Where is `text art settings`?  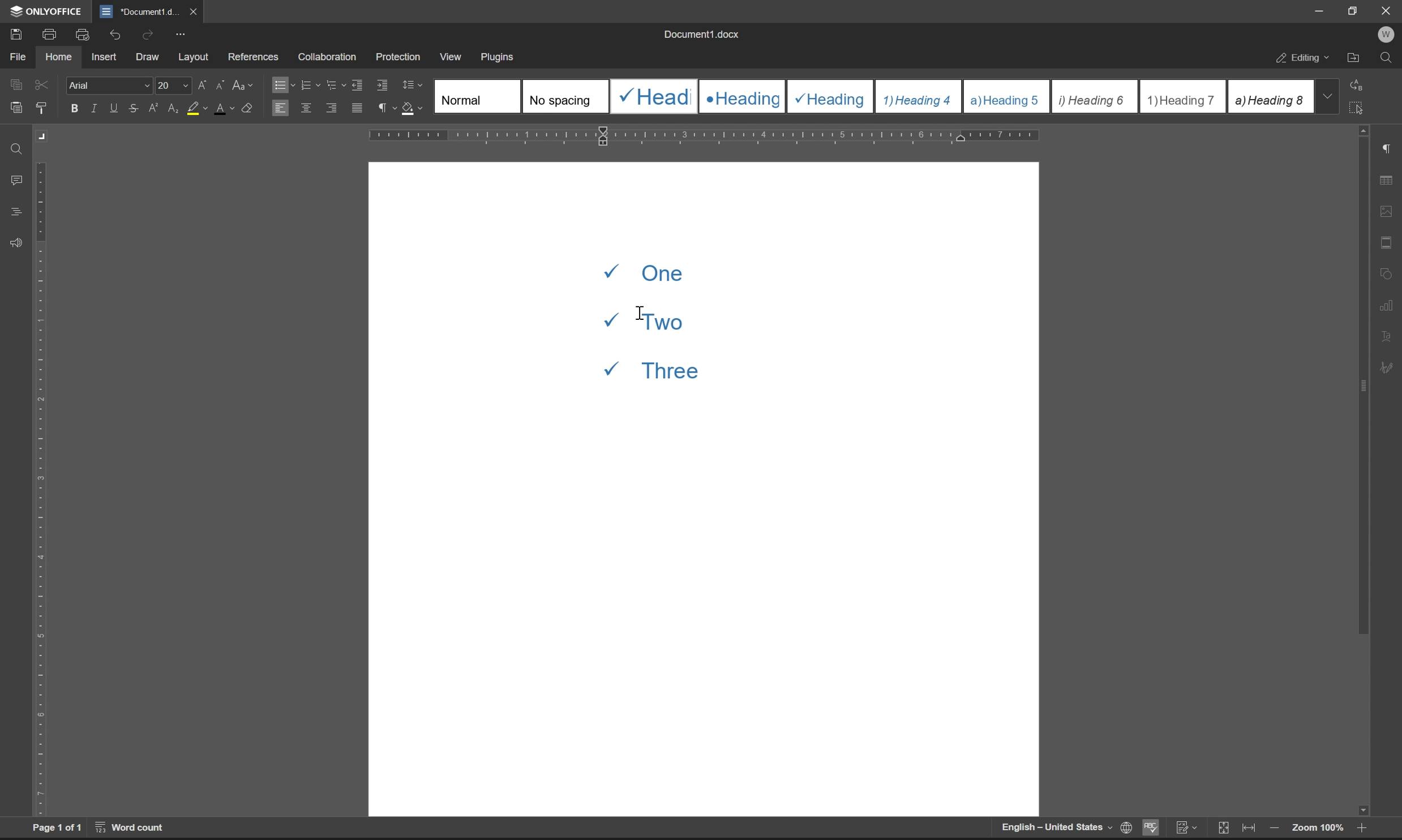 text art settings is located at coordinates (1386, 336).